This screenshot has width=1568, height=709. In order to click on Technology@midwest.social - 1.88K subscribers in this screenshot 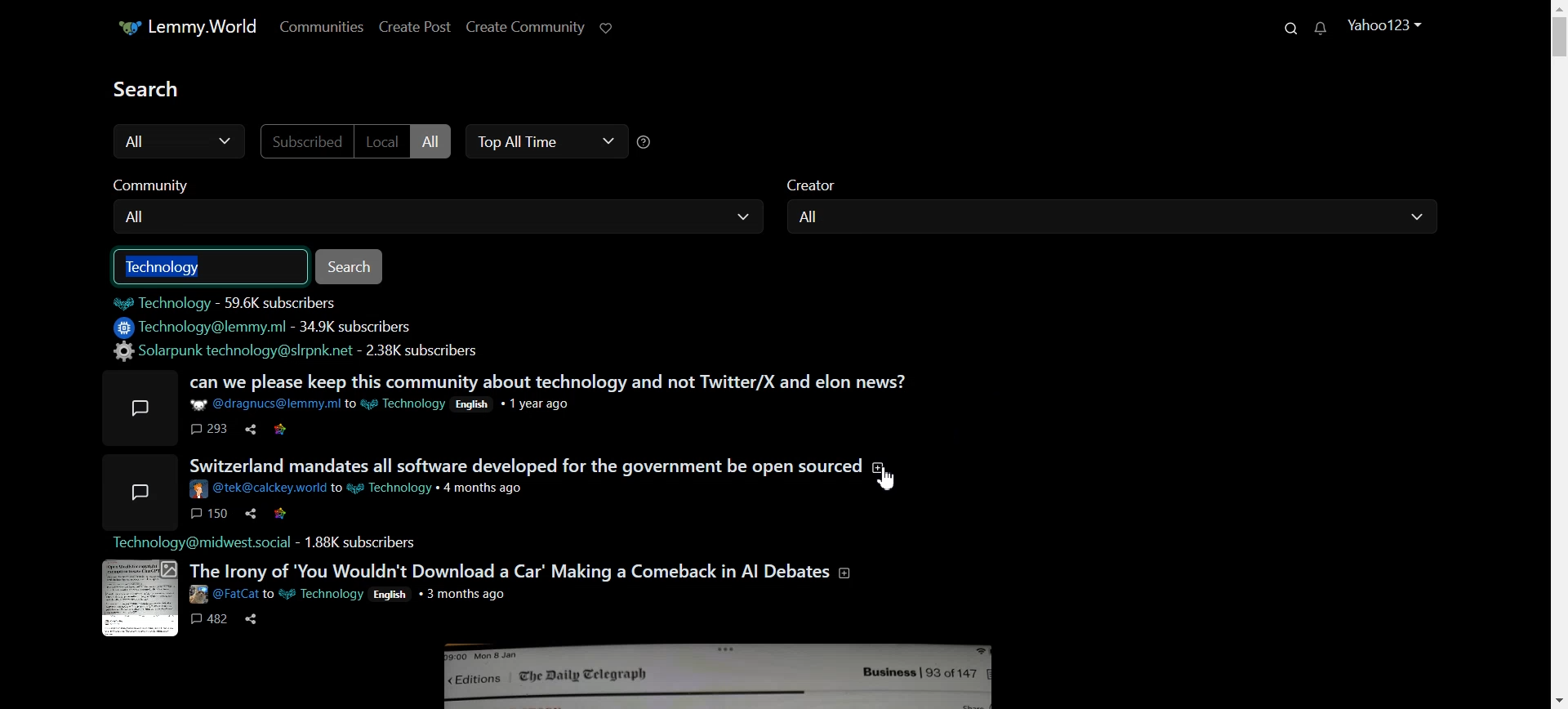, I will do `click(265, 542)`.